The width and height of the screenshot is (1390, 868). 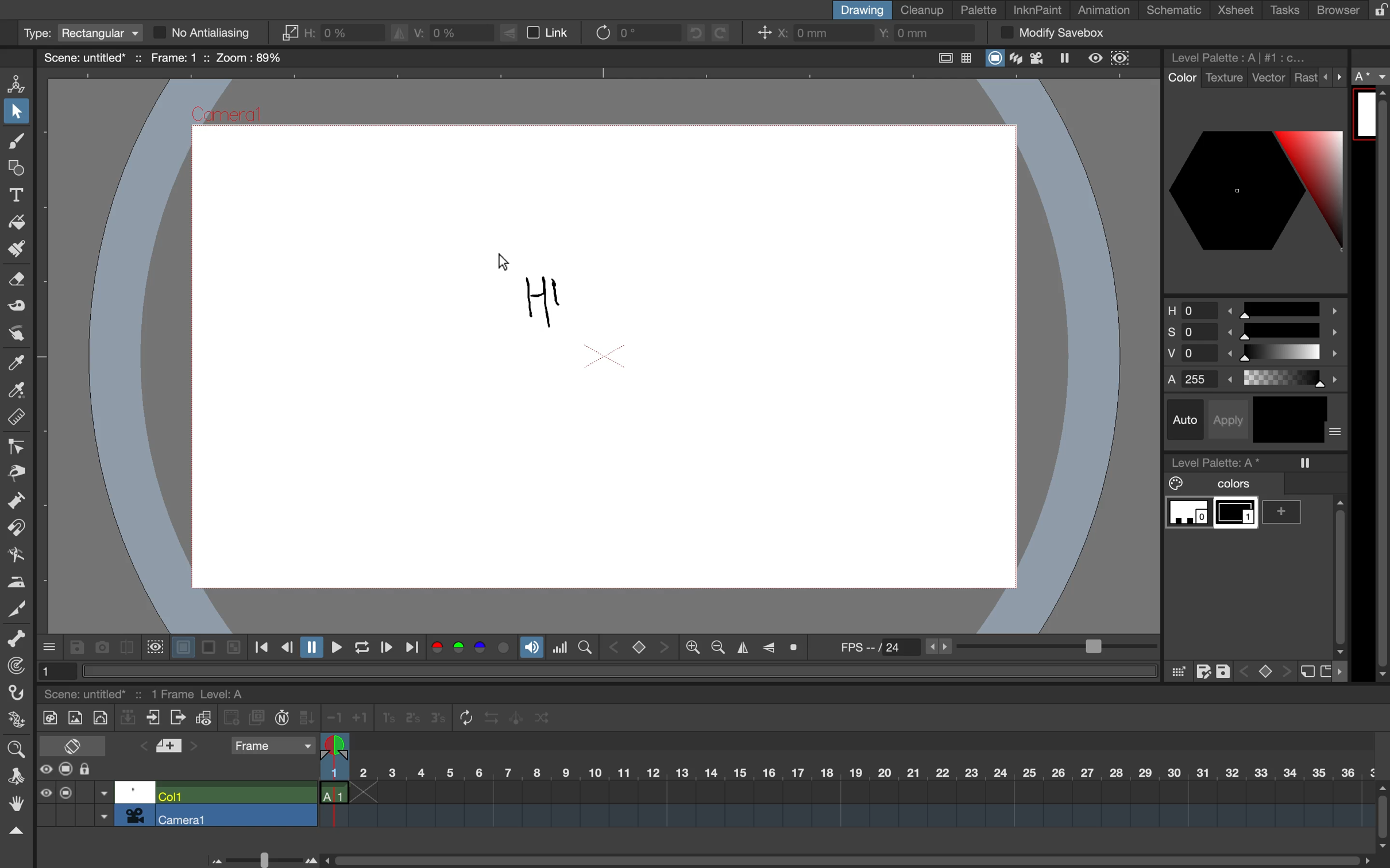 What do you see at coordinates (967, 59) in the screenshot?
I see `field guide` at bounding box center [967, 59].